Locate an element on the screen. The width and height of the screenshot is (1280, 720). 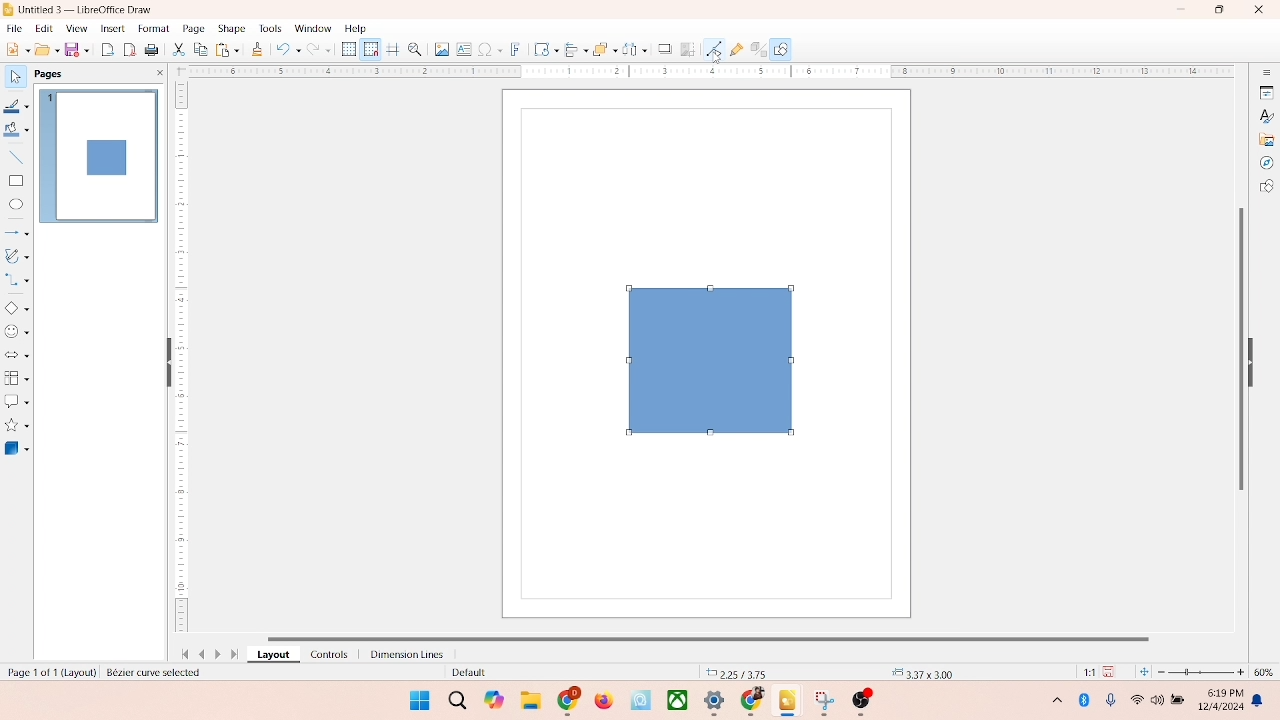
snap to grid is located at coordinates (368, 49).